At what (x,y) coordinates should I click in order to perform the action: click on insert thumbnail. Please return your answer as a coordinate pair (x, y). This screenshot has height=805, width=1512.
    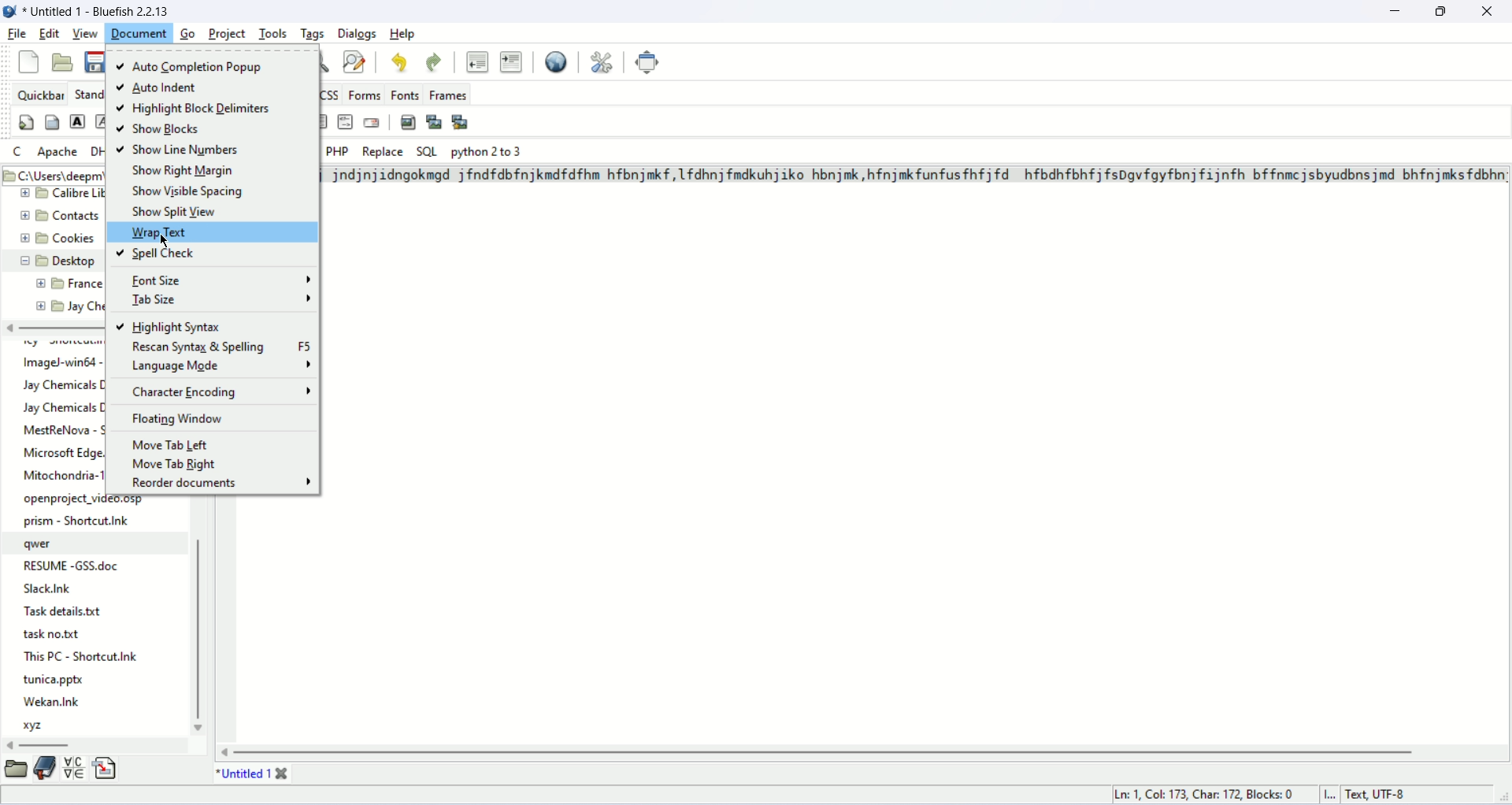
    Looking at the image, I should click on (433, 121).